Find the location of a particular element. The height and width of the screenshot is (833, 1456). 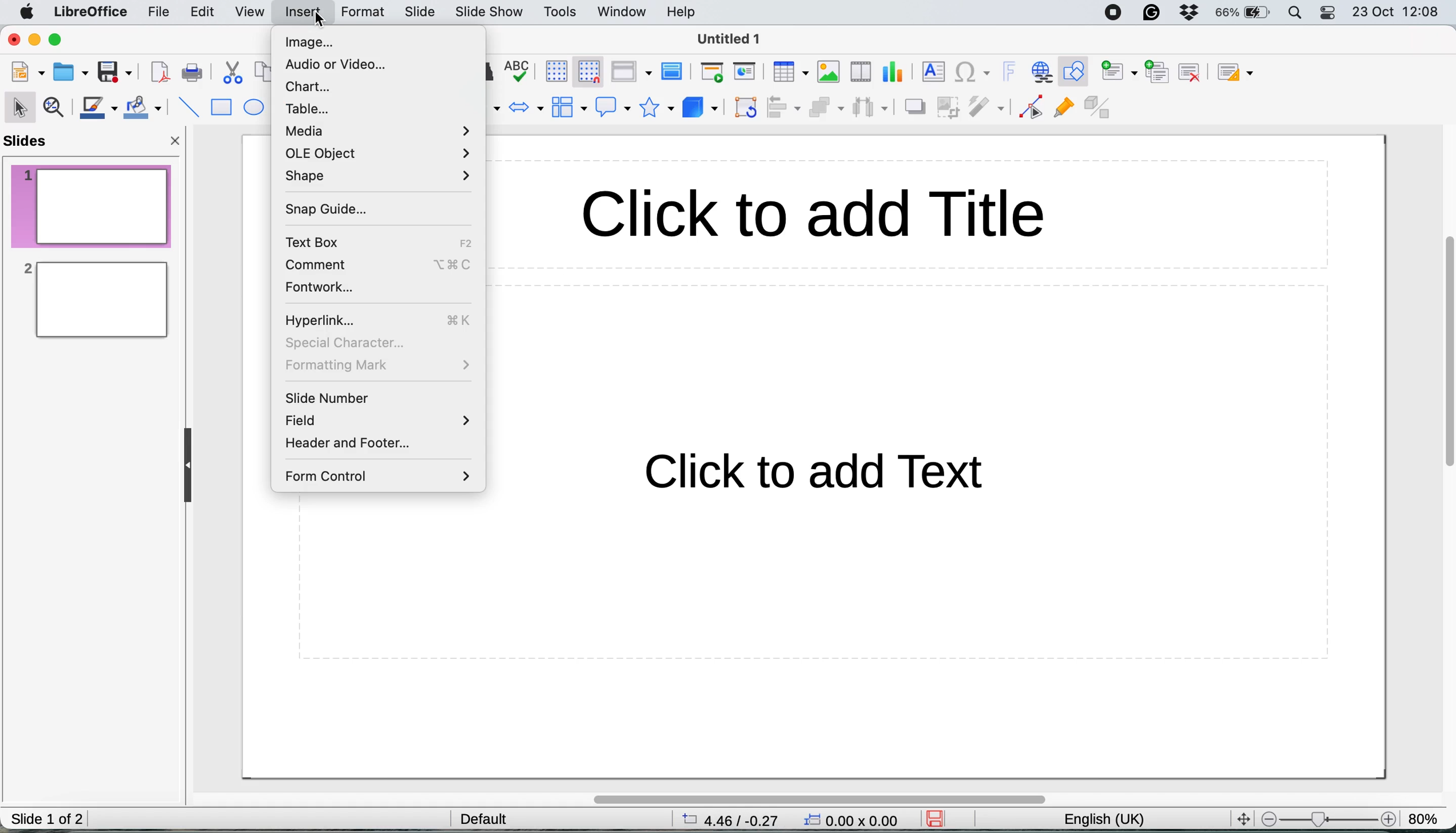

cursor is located at coordinates (323, 20).